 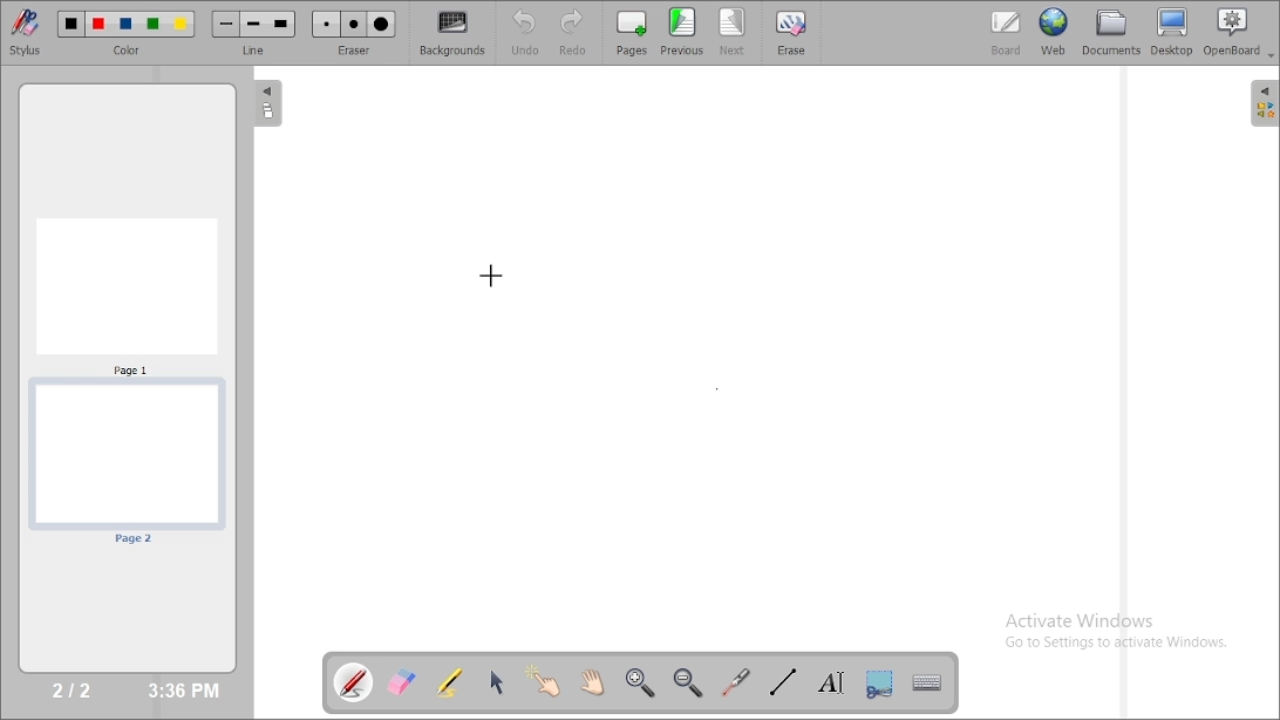 I want to click on redo, so click(x=578, y=32).